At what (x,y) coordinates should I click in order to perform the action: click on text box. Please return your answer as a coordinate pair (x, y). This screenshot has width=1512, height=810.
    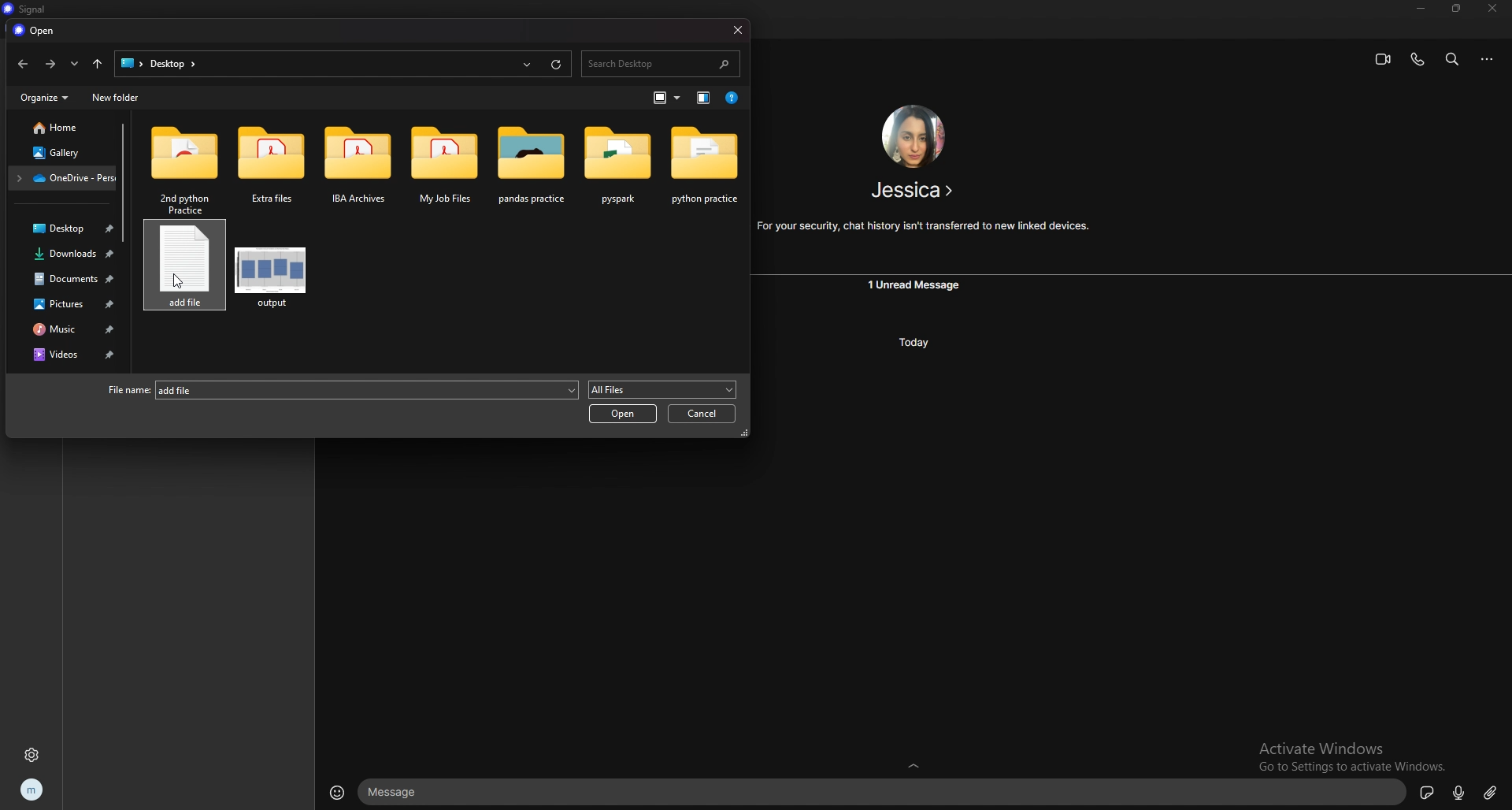
    Looking at the image, I should click on (884, 792).